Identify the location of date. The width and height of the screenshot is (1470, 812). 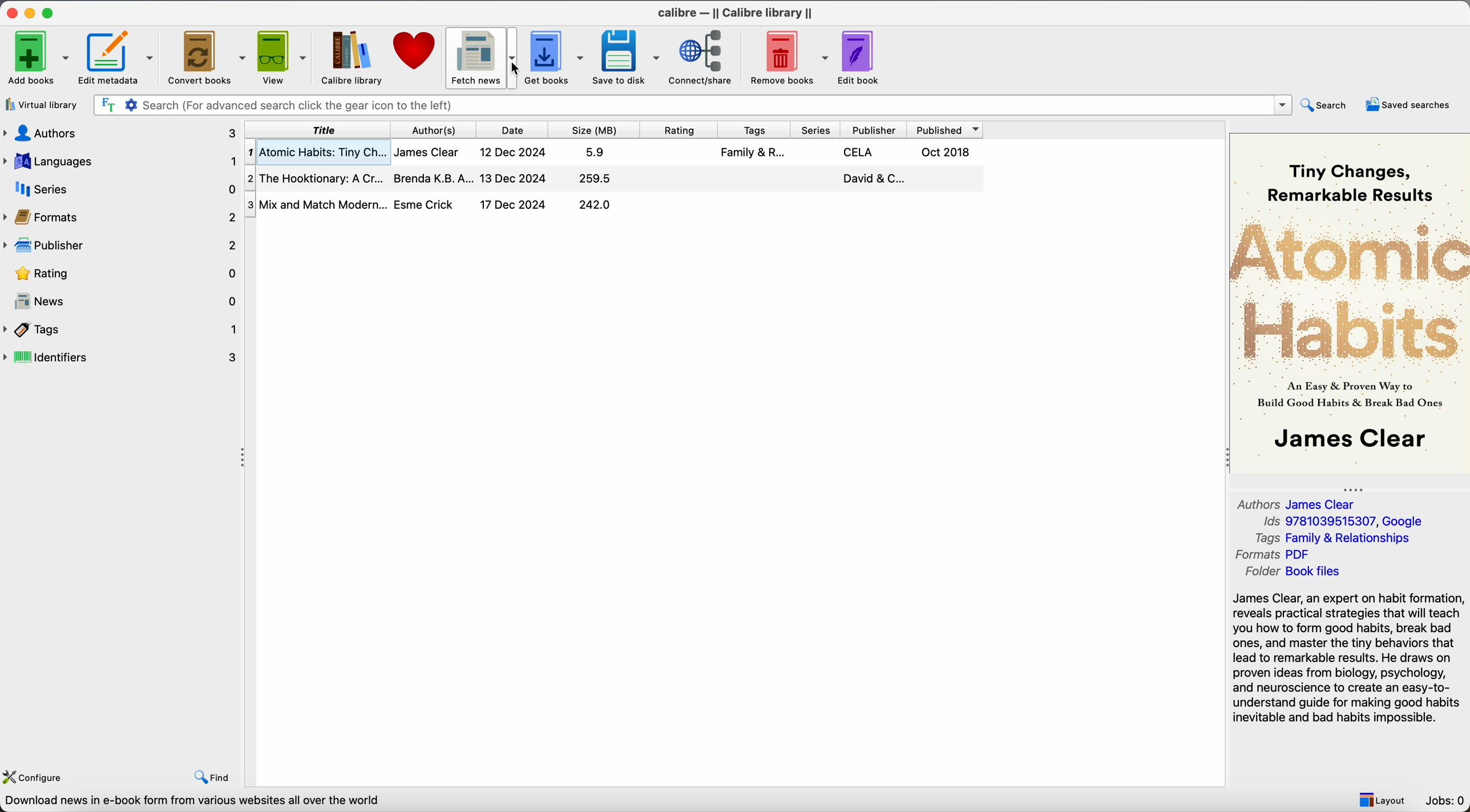
(518, 130).